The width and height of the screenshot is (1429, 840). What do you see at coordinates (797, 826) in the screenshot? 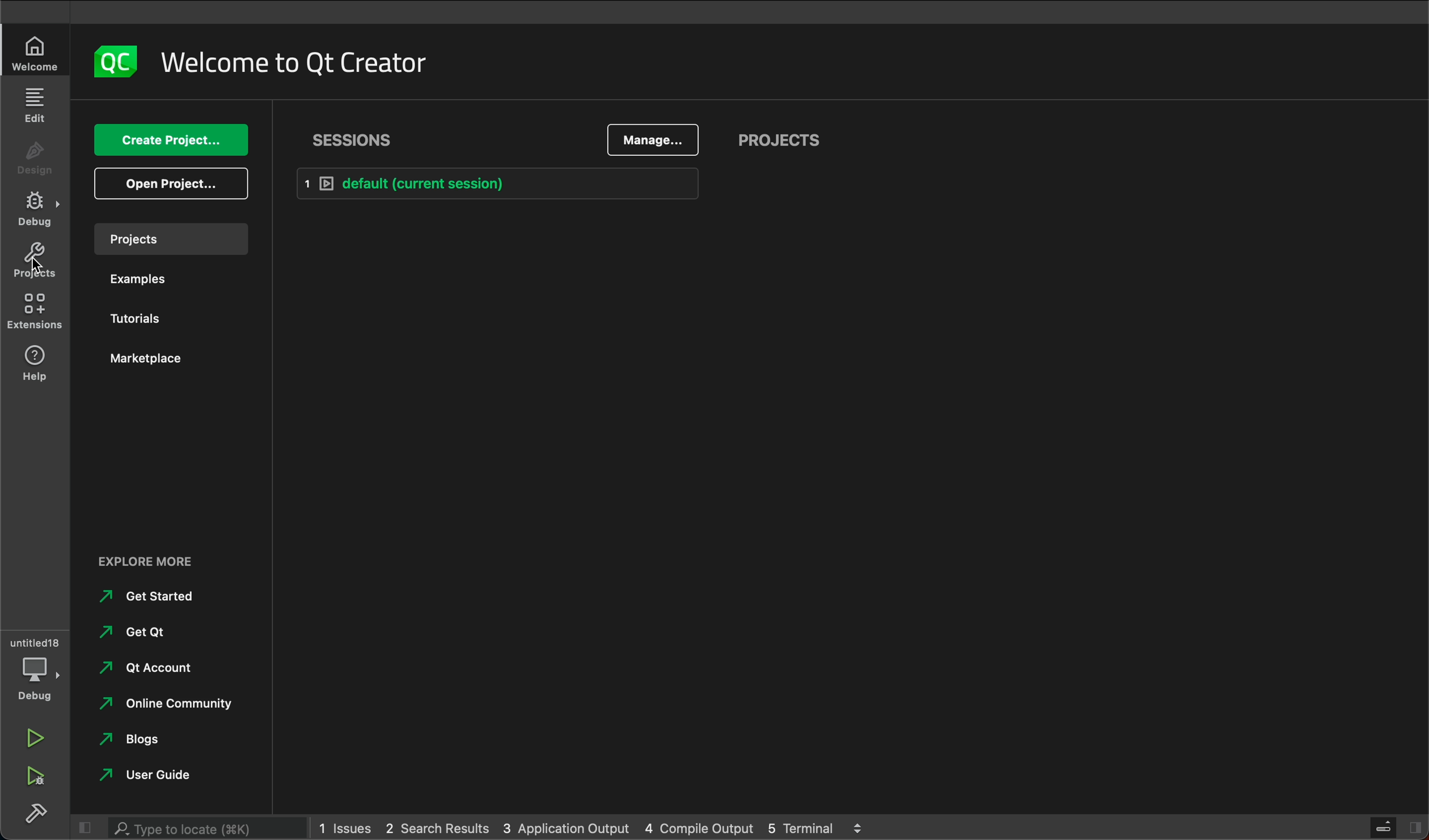
I see `5 Terminal` at bounding box center [797, 826].